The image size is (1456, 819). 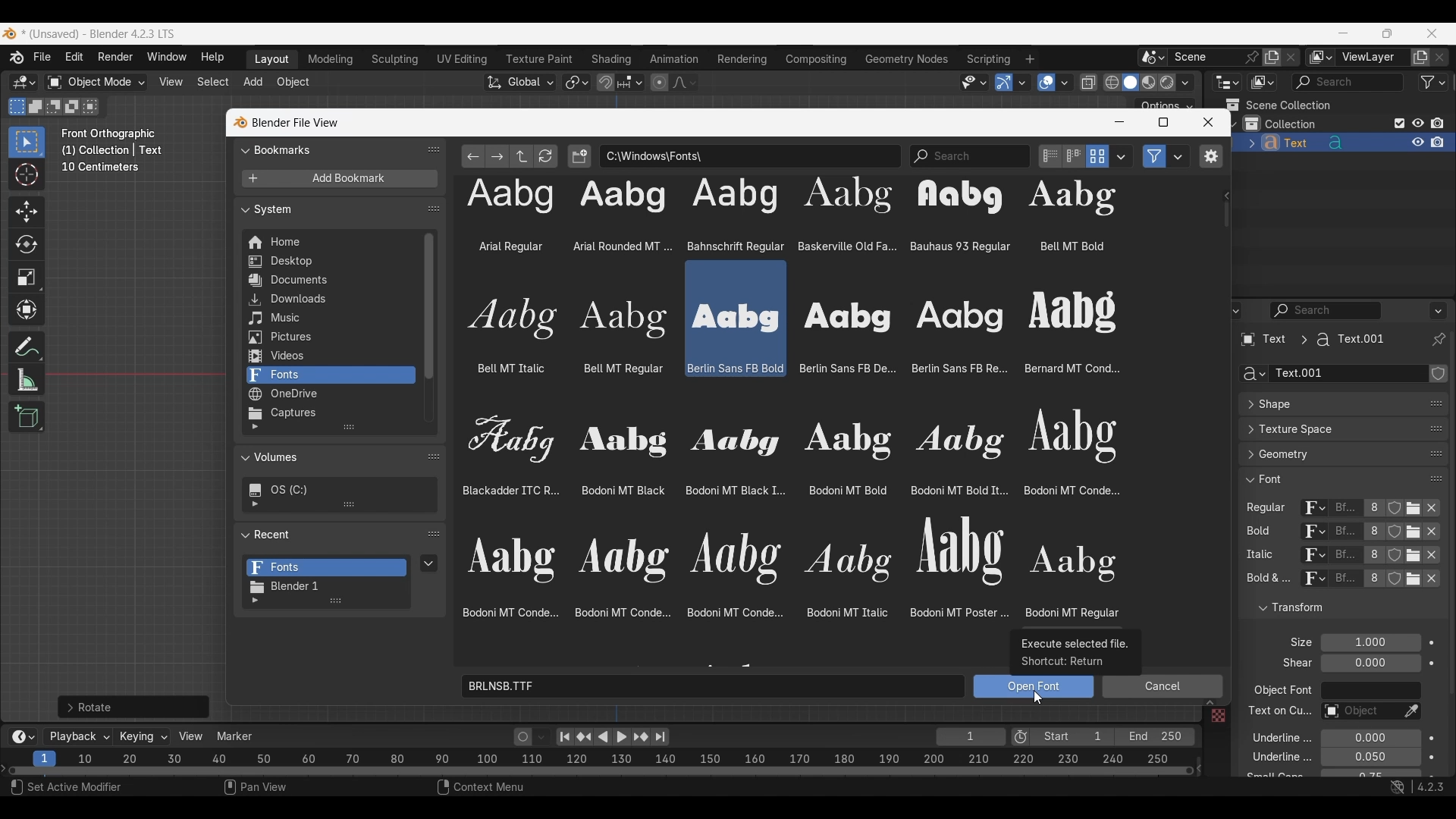 I want to click on font, so click(x=962, y=322).